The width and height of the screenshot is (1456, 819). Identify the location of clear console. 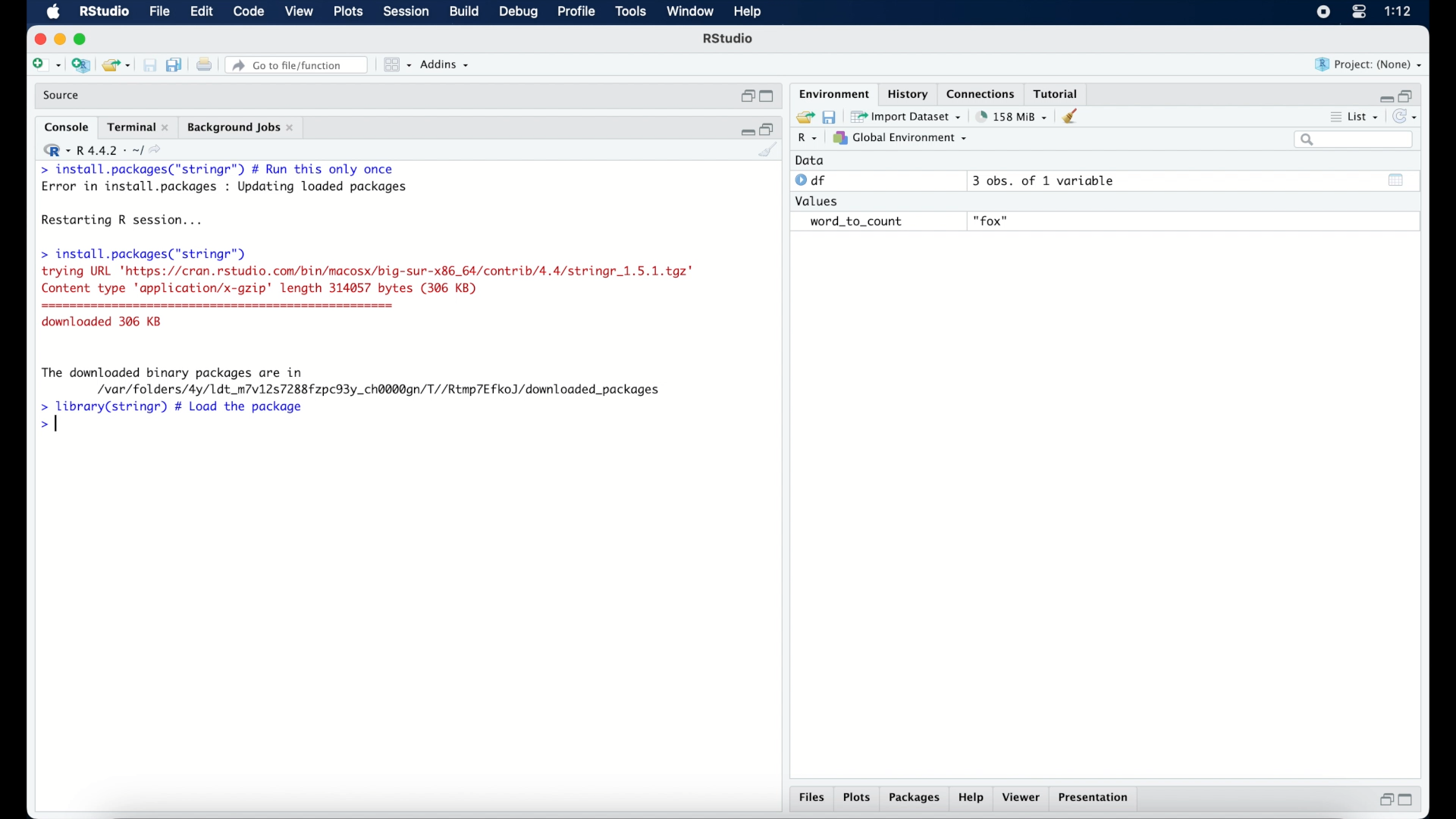
(769, 151).